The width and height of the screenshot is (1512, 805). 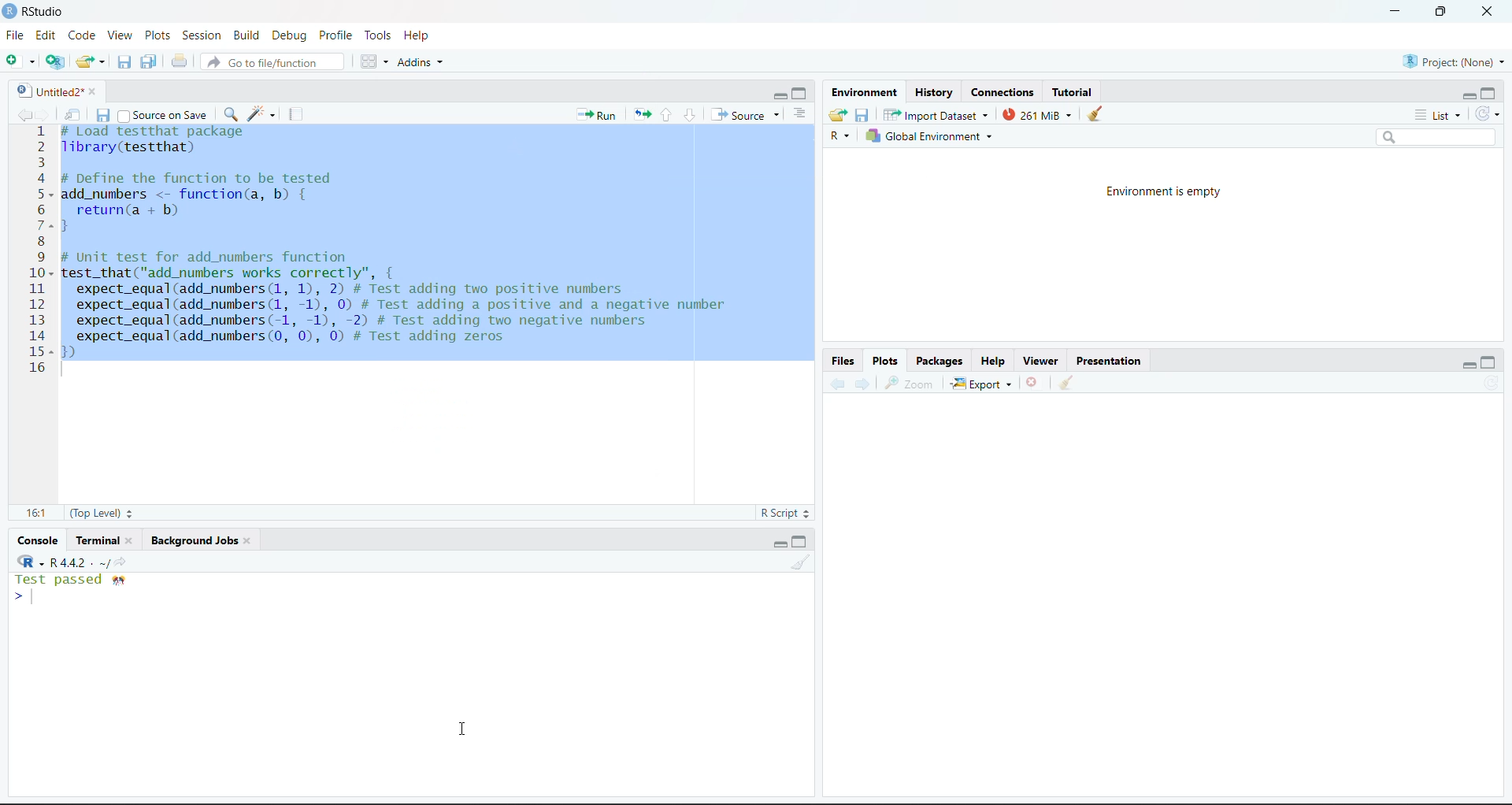 I want to click on Save all the open documents, so click(x=150, y=61).